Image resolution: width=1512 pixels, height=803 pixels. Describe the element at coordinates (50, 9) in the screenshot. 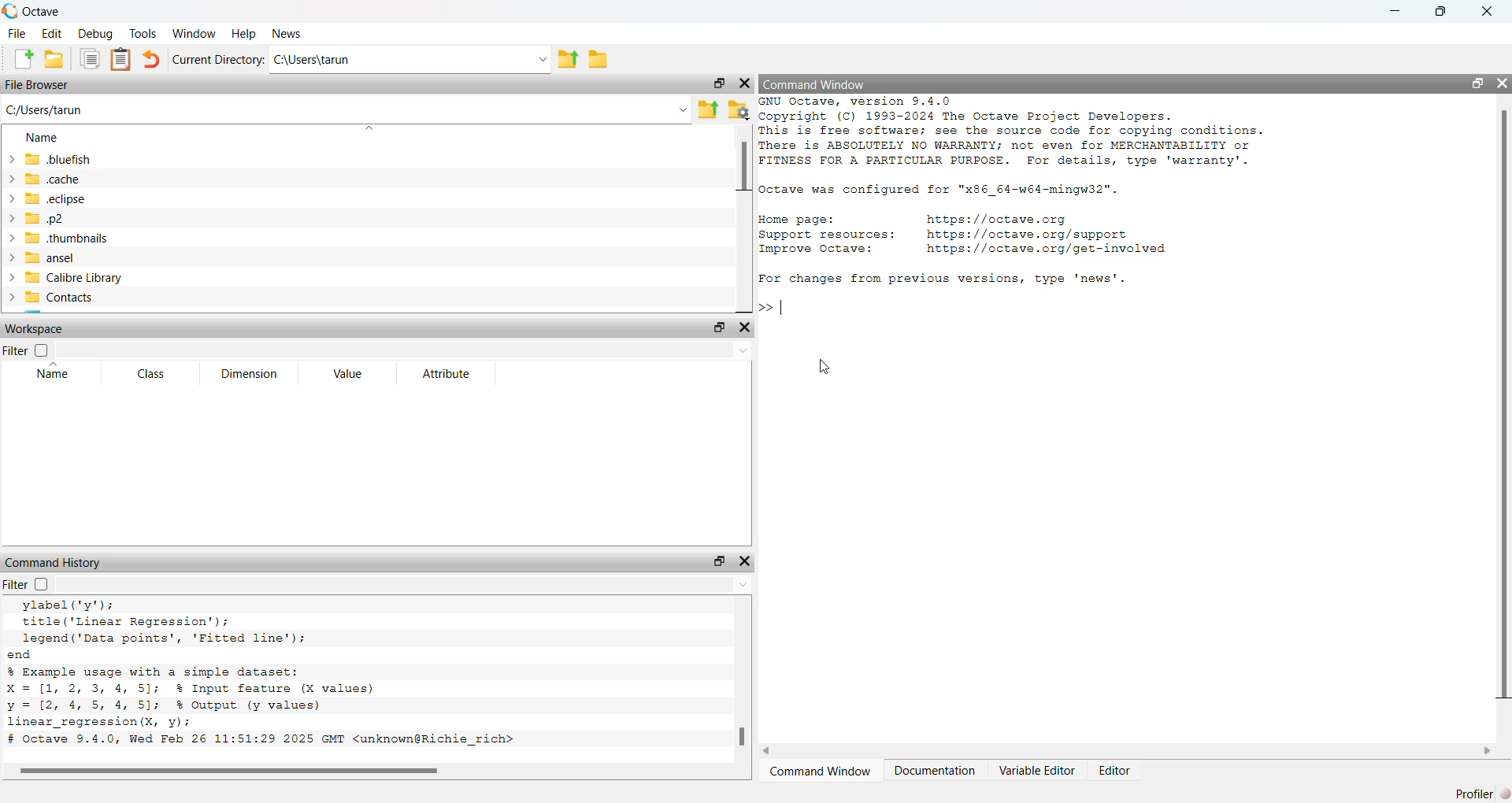

I see `octave` at that location.